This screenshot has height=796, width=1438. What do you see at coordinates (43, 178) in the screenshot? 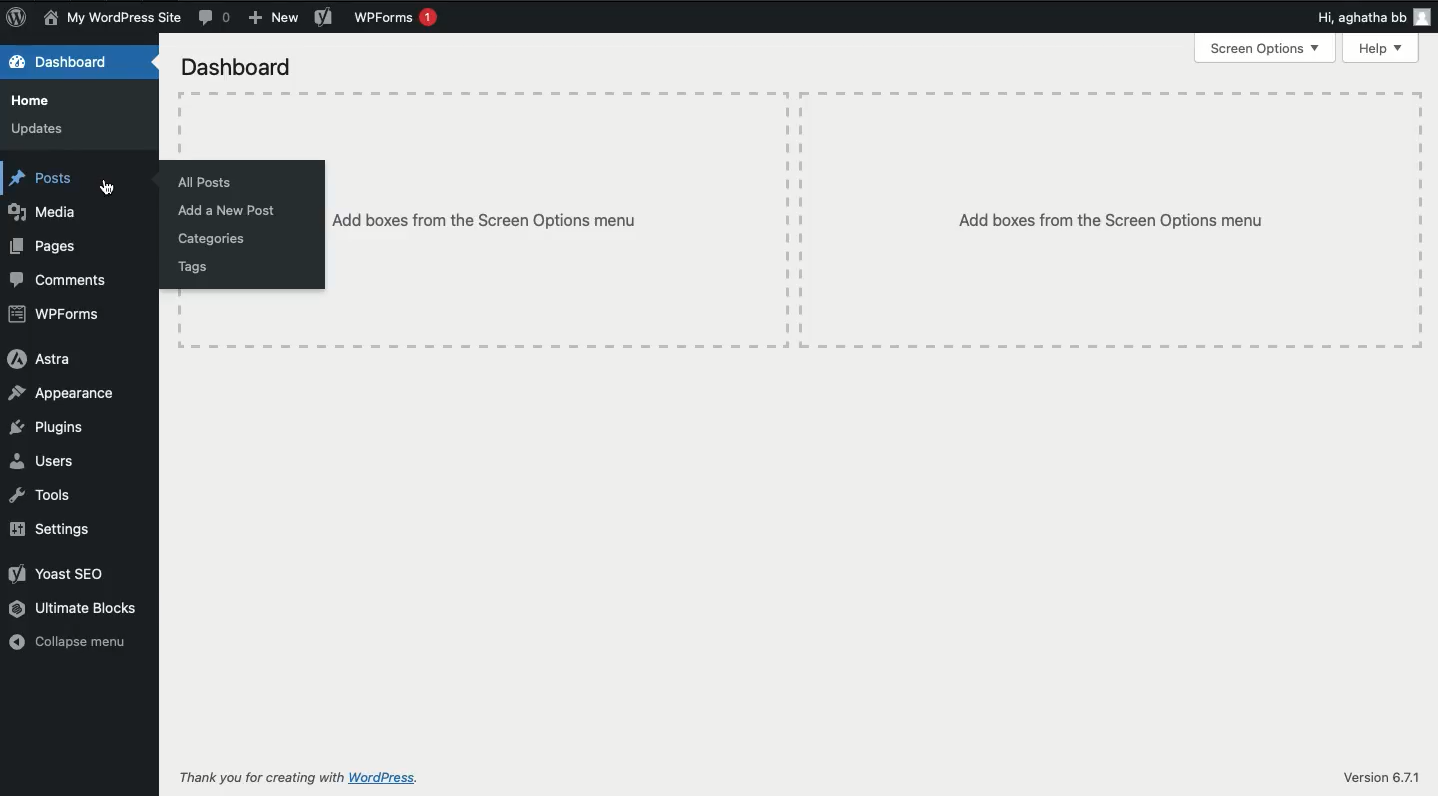
I see `Posts` at bounding box center [43, 178].